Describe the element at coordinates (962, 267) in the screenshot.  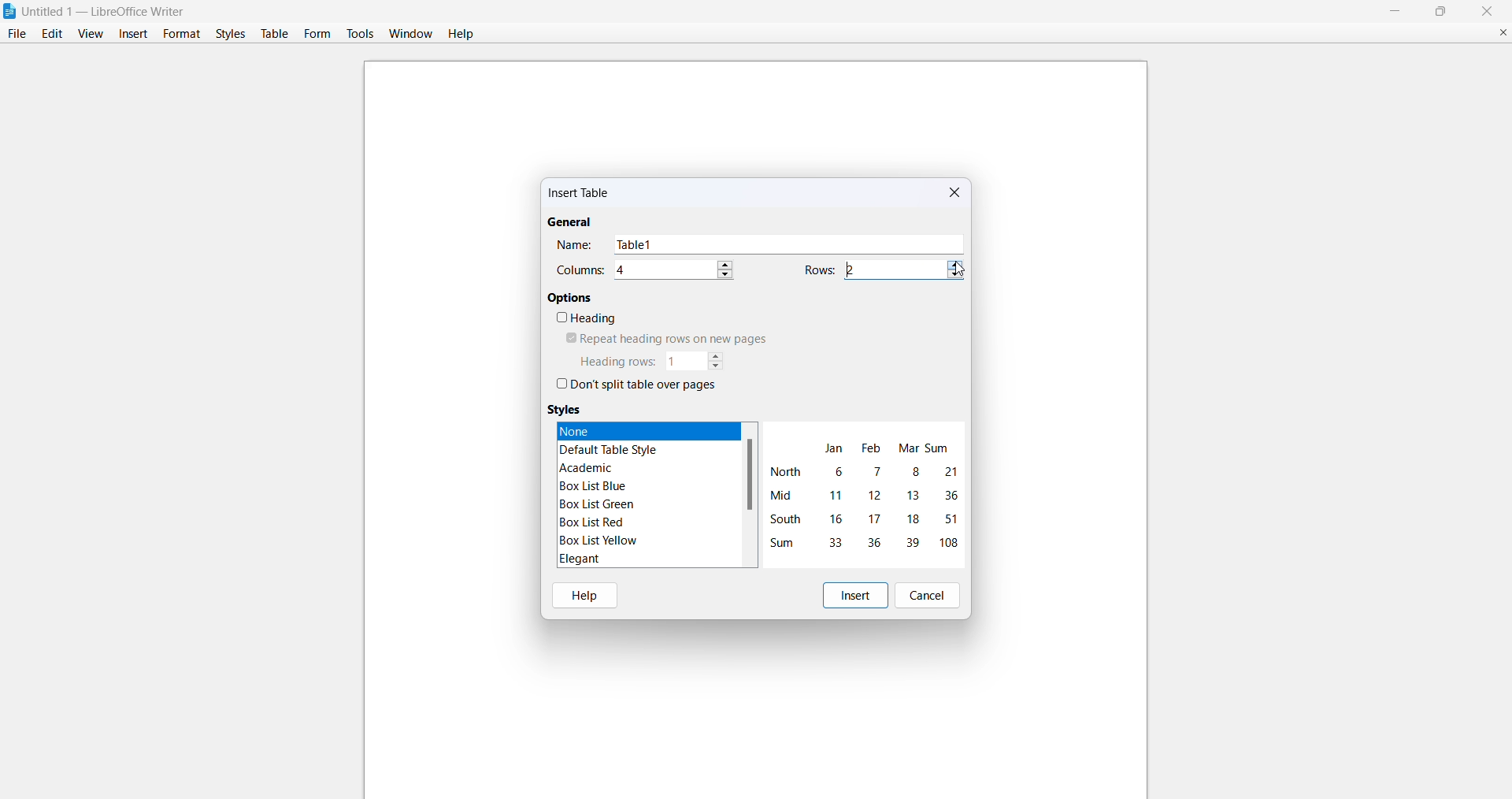
I see `cursor` at that location.